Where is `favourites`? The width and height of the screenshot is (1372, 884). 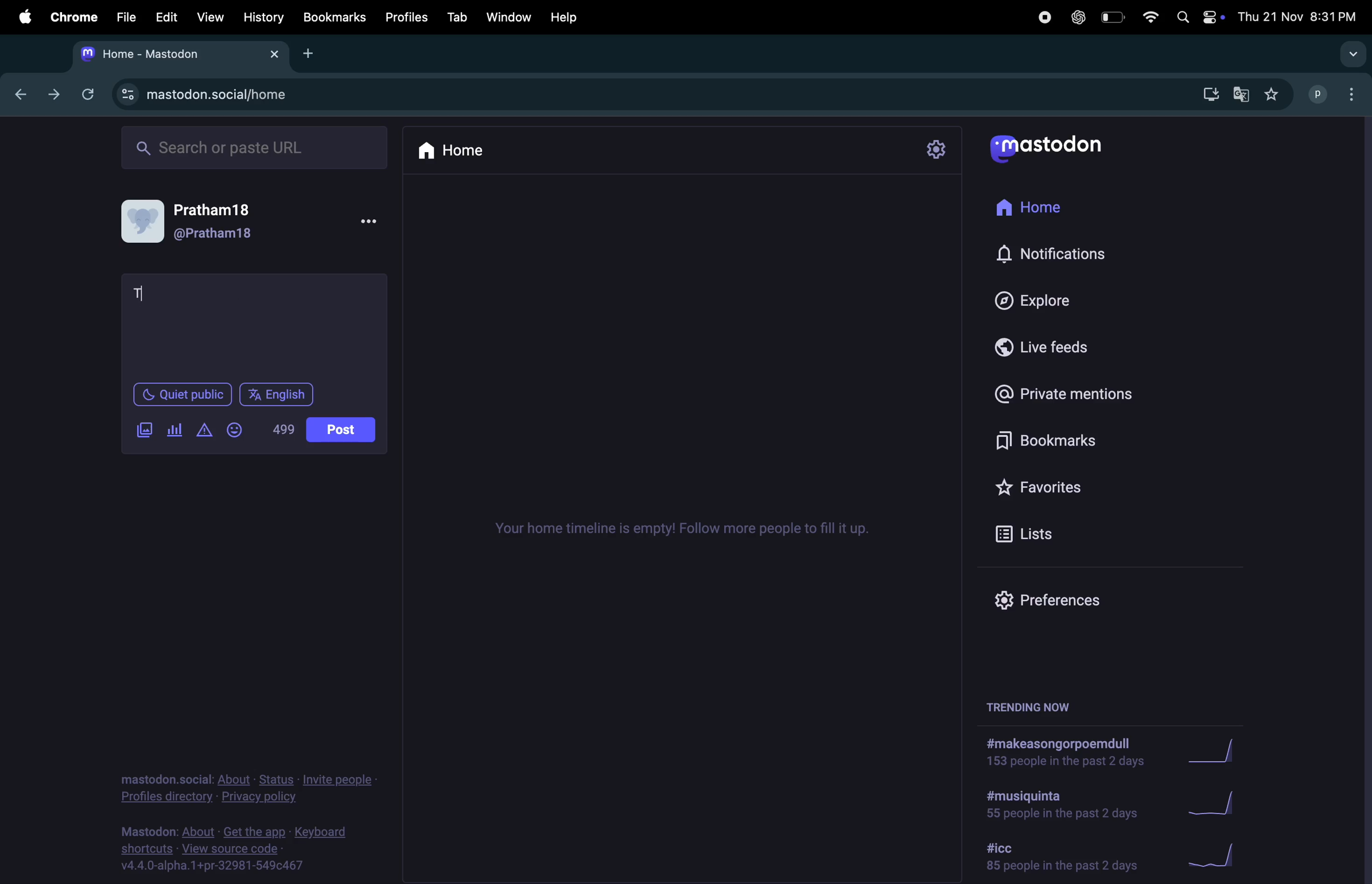
favourites is located at coordinates (1057, 485).